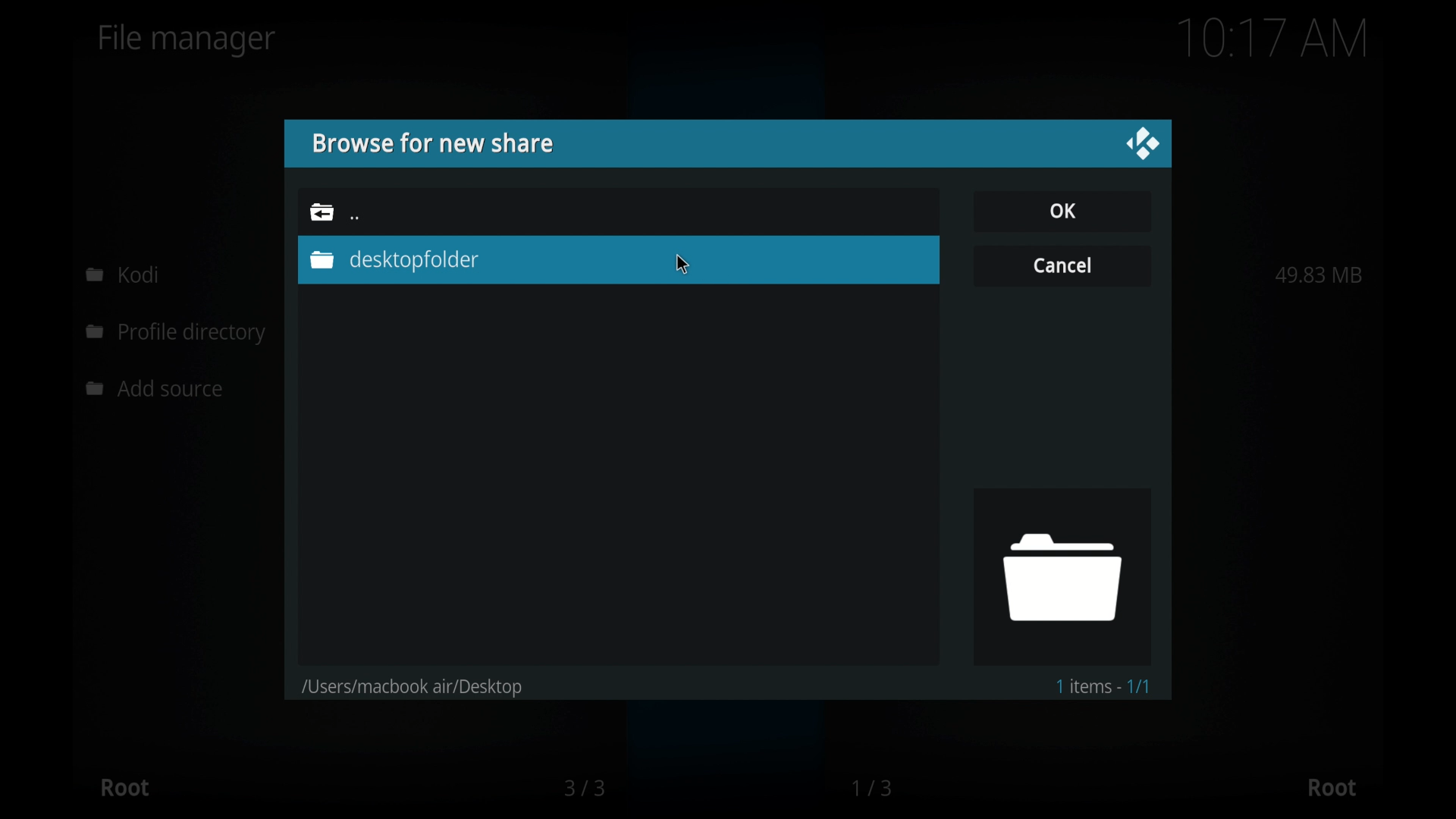 This screenshot has width=1456, height=819. Describe the element at coordinates (1103, 686) in the screenshot. I see `1items` at that location.